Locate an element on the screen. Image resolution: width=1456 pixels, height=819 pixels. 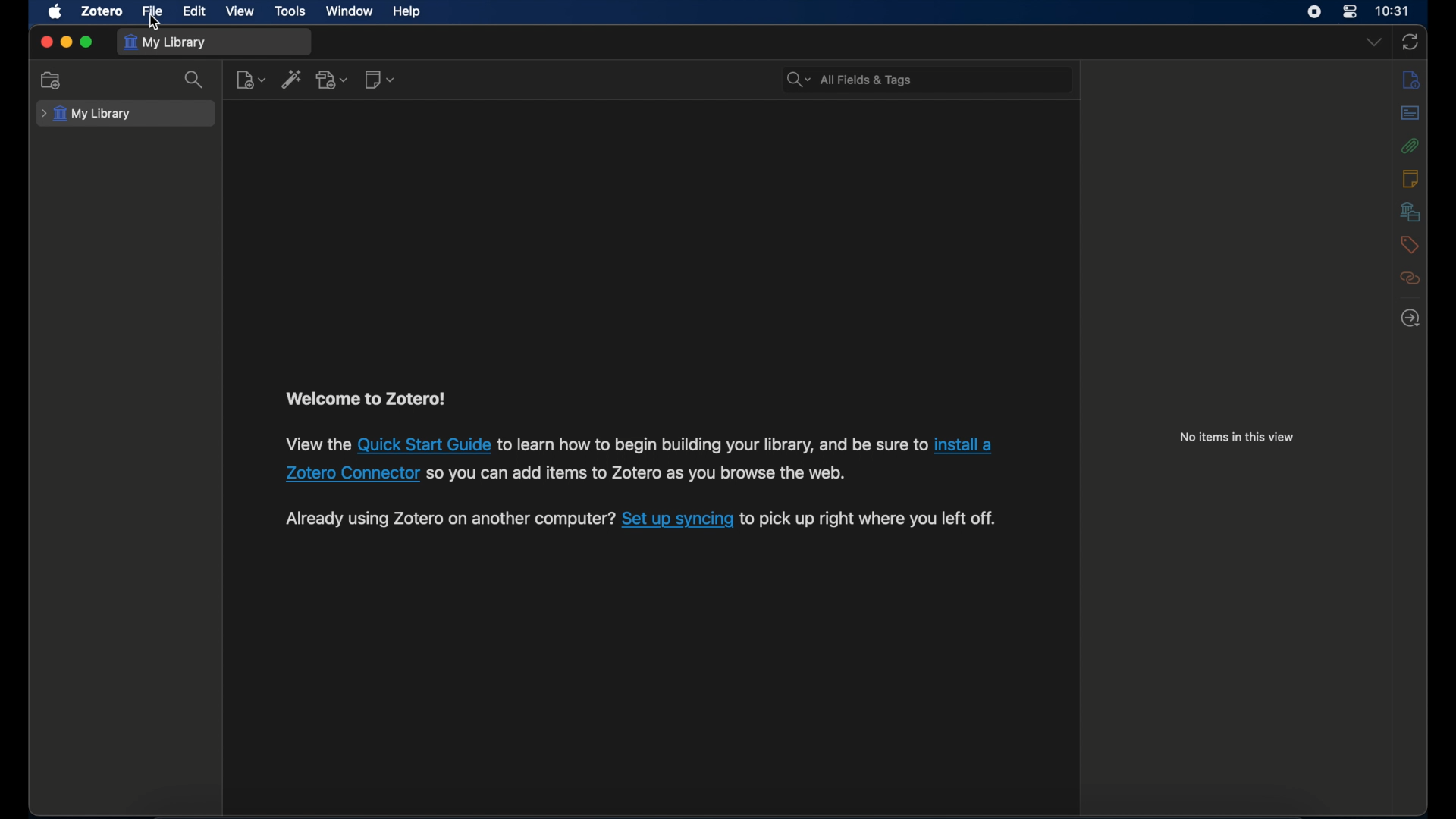
text is located at coordinates (712, 444).